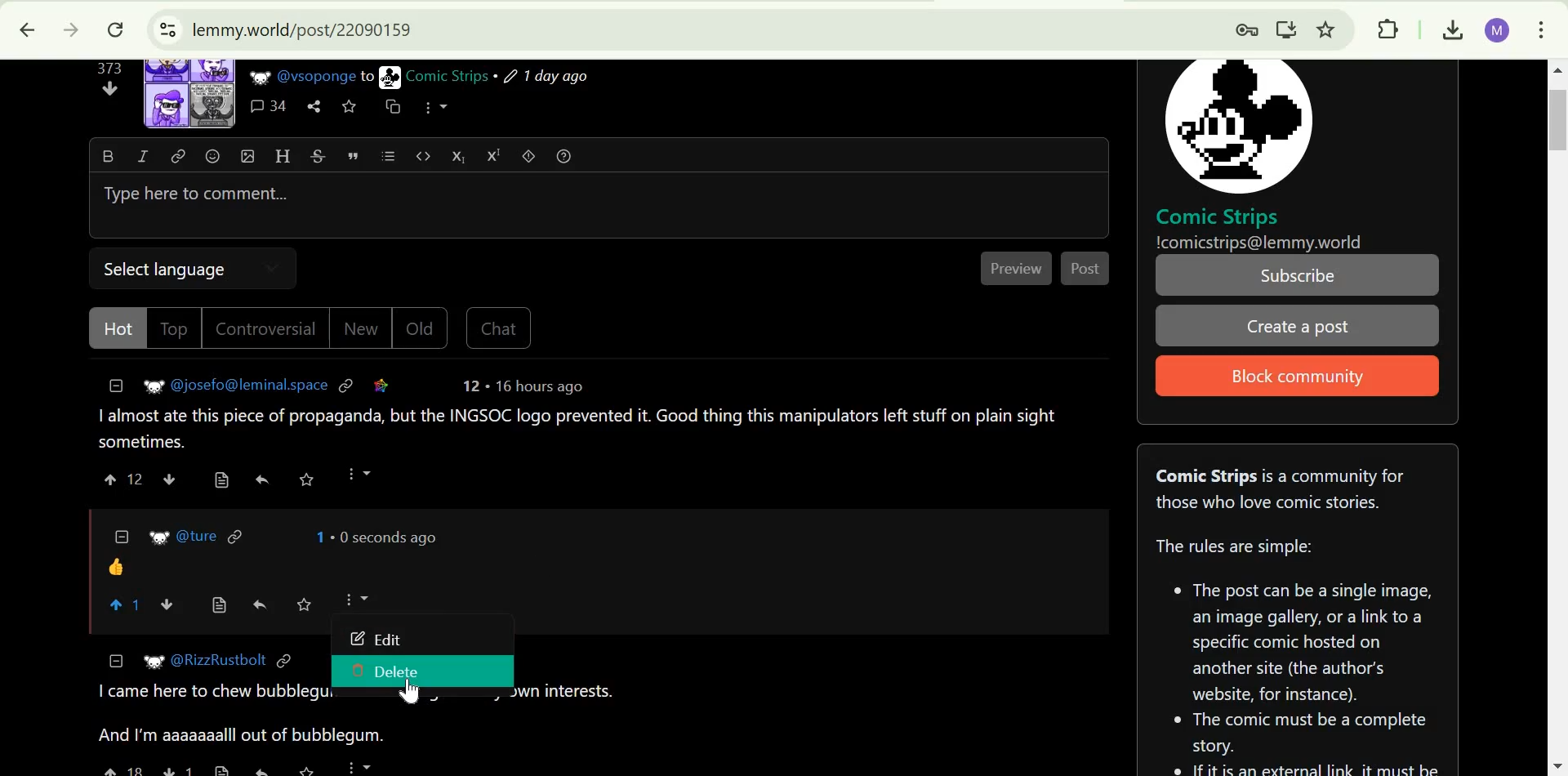 Image resolution: width=1568 pixels, height=776 pixels. I want to click on !comicstrips@lemmy.world, so click(1260, 243).